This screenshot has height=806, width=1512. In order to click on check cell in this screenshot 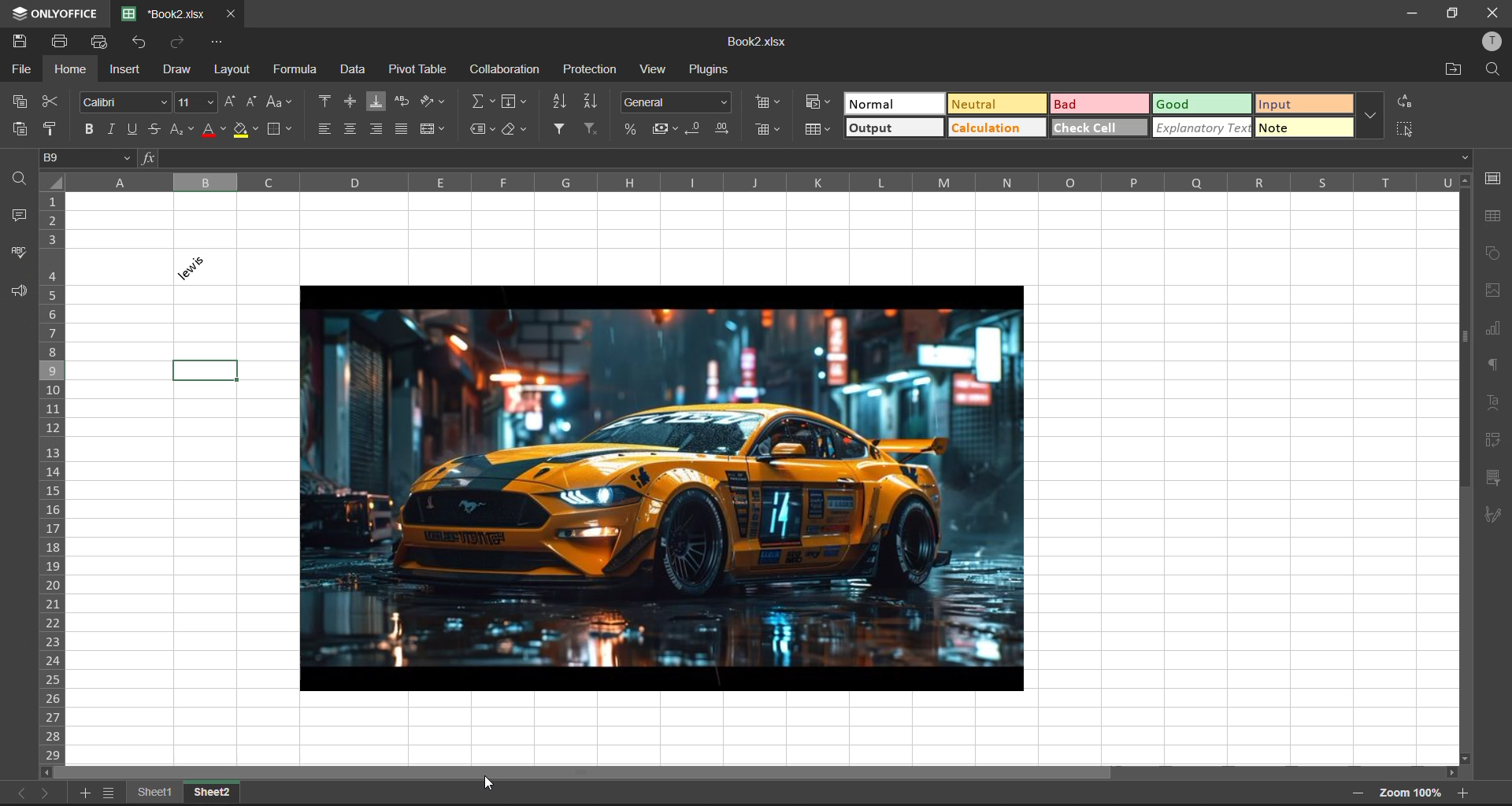, I will do `click(1100, 125)`.